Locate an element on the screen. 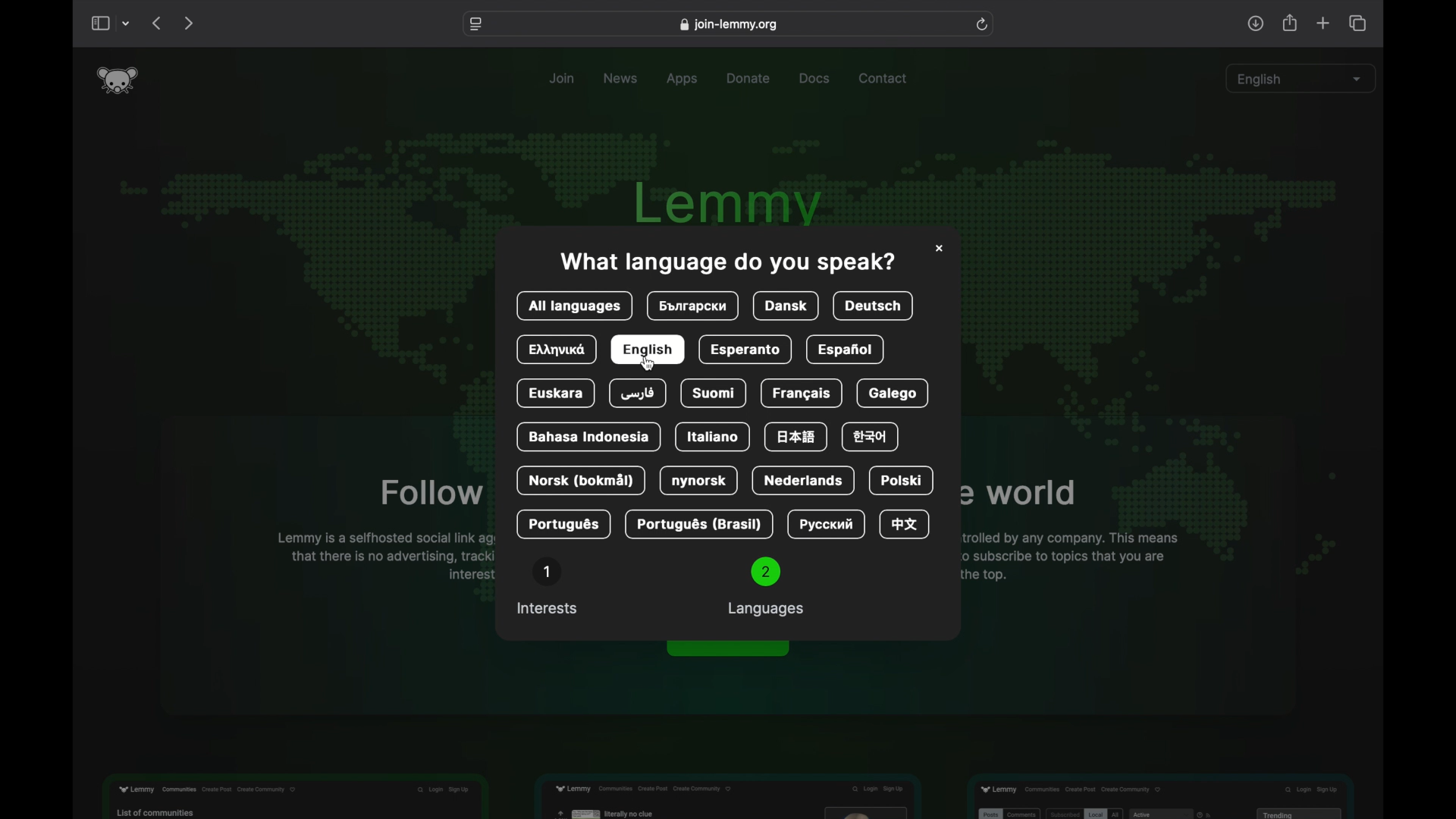  show sidebar is located at coordinates (99, 24).